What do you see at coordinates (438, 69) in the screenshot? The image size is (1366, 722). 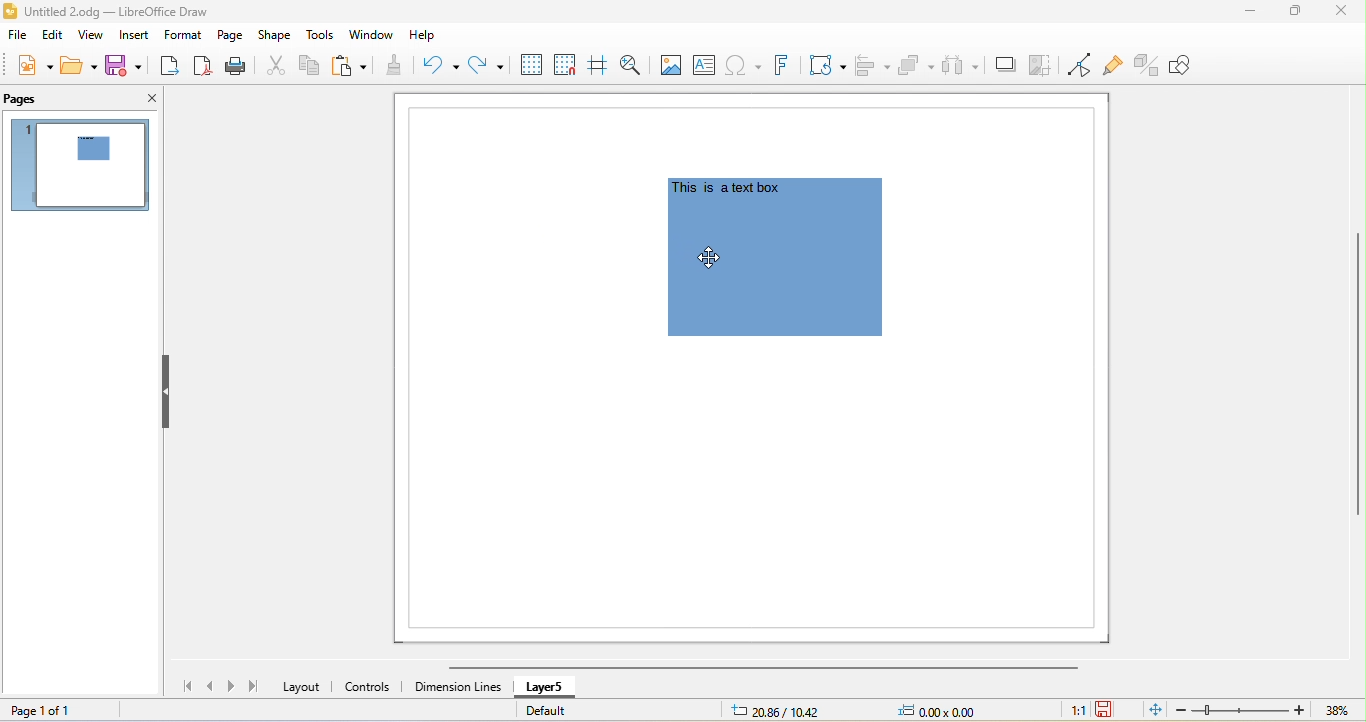 I see `undo` at bounding box center [438, 69].